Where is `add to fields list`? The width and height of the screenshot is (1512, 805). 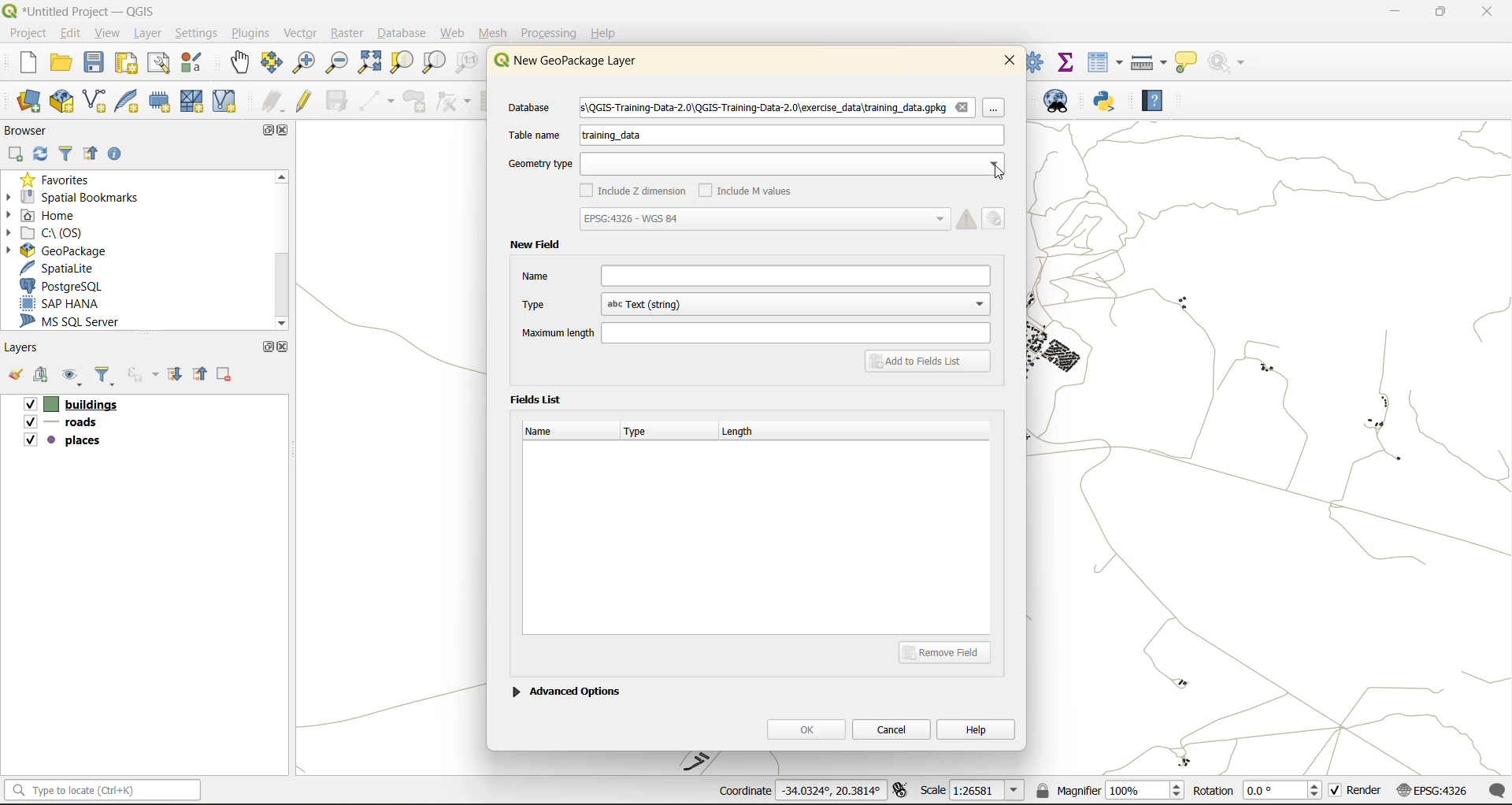 add to fields list is located at coordinates (930, 362).